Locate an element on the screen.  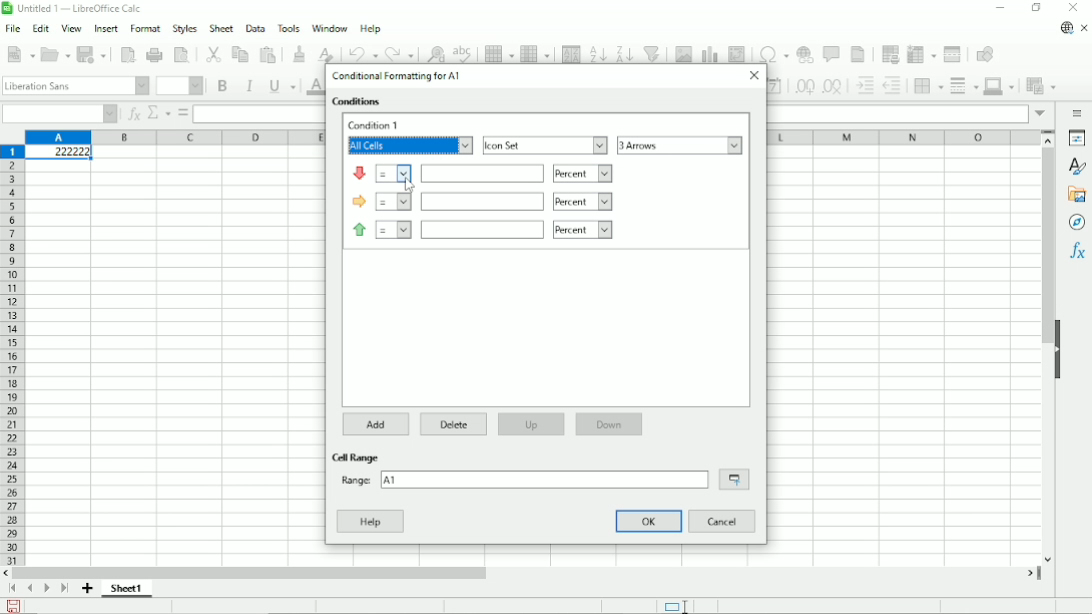
undo is located at coordinates (364, 54).